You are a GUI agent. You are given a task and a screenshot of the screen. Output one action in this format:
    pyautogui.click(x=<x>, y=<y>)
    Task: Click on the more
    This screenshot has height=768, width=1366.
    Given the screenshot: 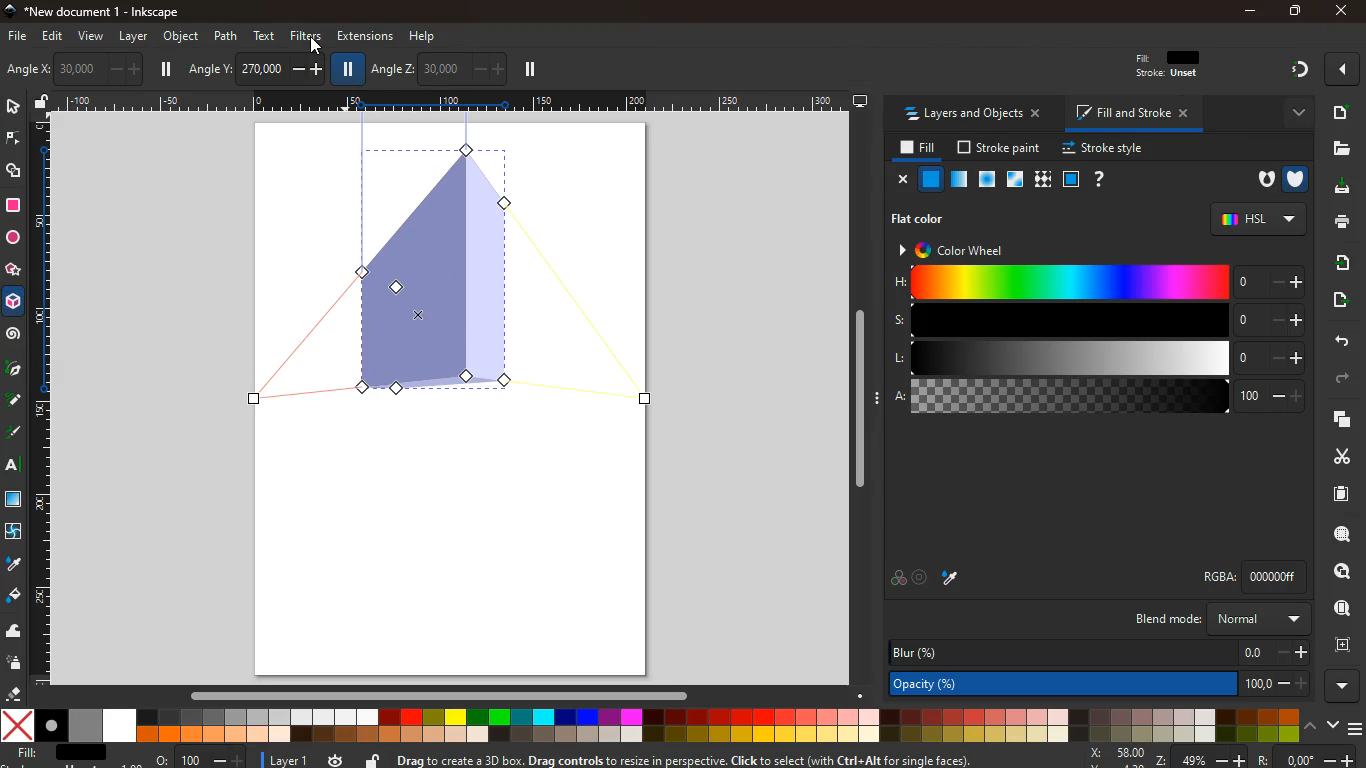 What is the action you would take?
    pyautogui.click(x=1293, y=112)
    